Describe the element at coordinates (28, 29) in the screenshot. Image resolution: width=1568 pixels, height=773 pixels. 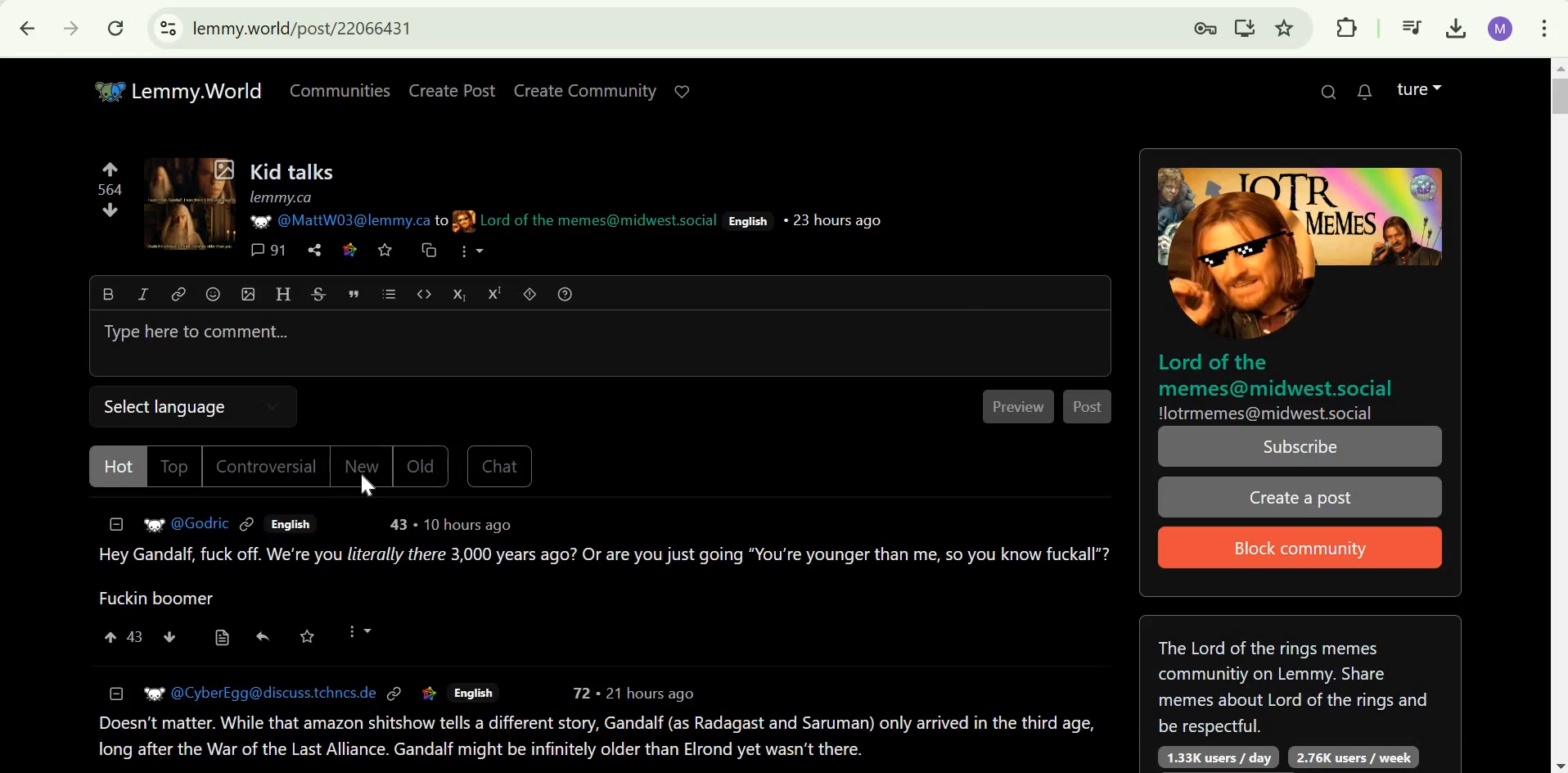
I see `click to go back, hold to see history` at that location.